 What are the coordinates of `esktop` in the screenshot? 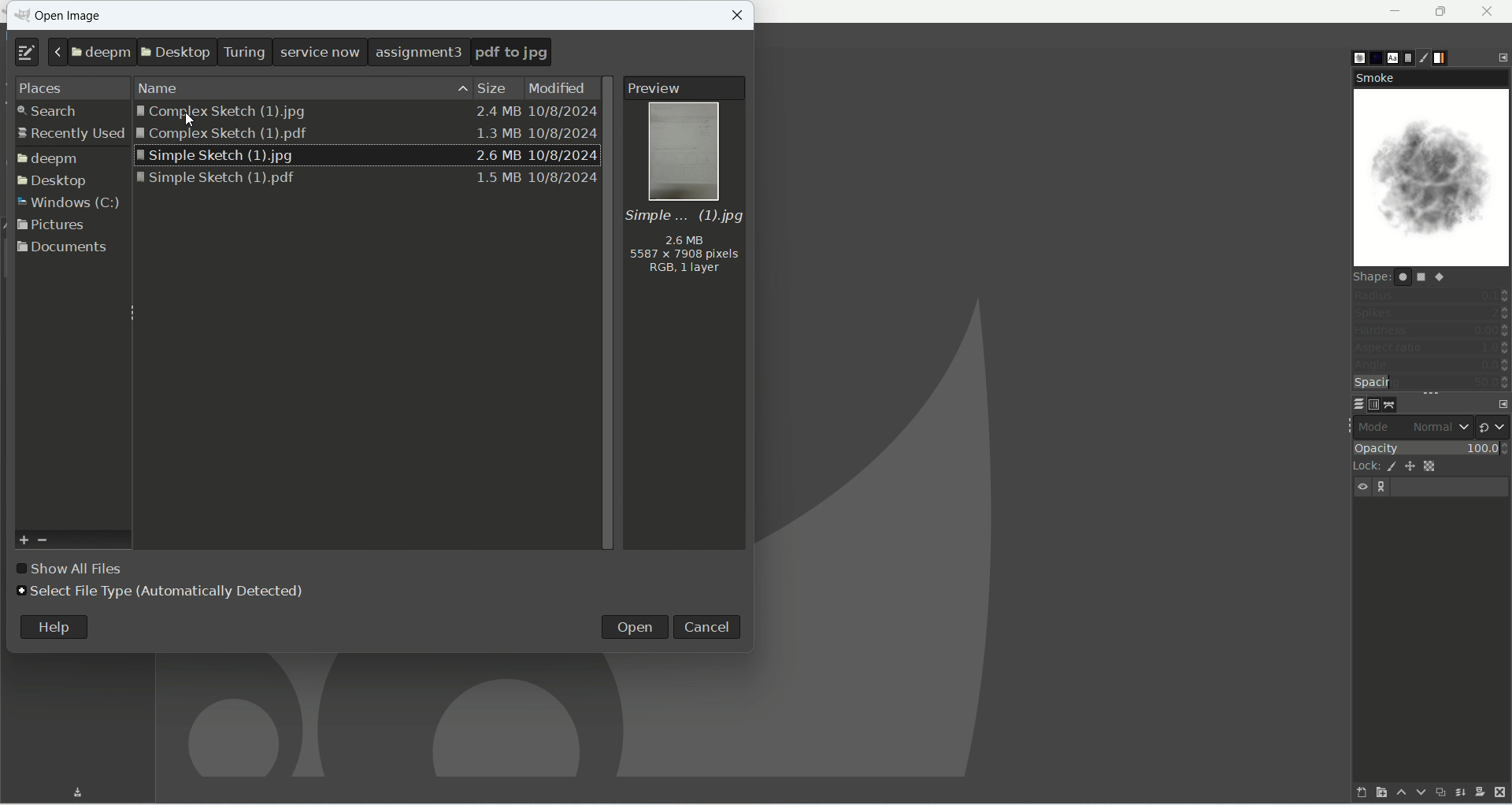 It's located at (58, 181).